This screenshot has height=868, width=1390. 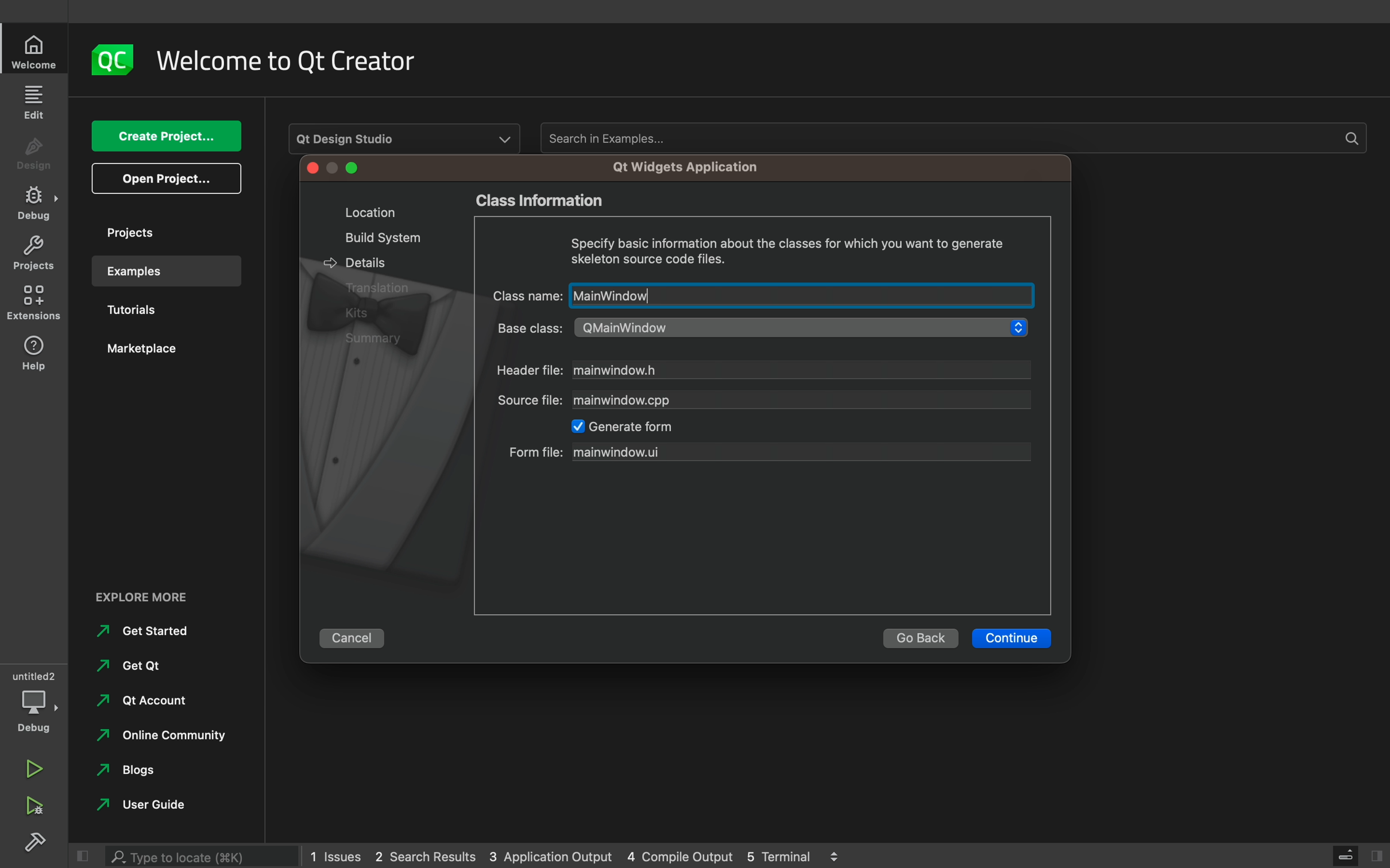 I want to click on online community, so click(x=157, y=739).